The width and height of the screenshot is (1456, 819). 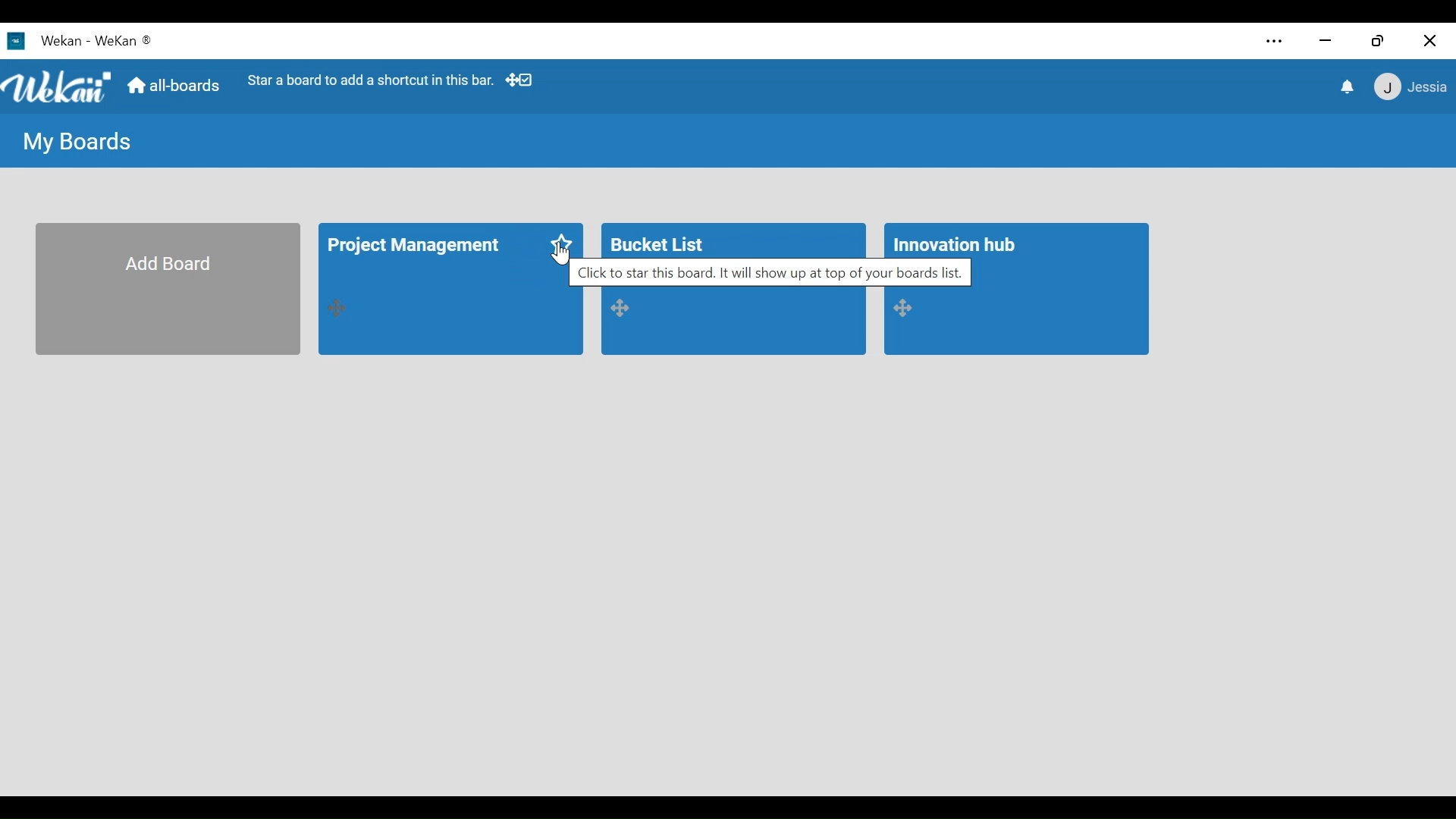 What do you see at coordinates (168, 290) in the screenshot?
I see `Add Board` at bounding box center [168, 290].